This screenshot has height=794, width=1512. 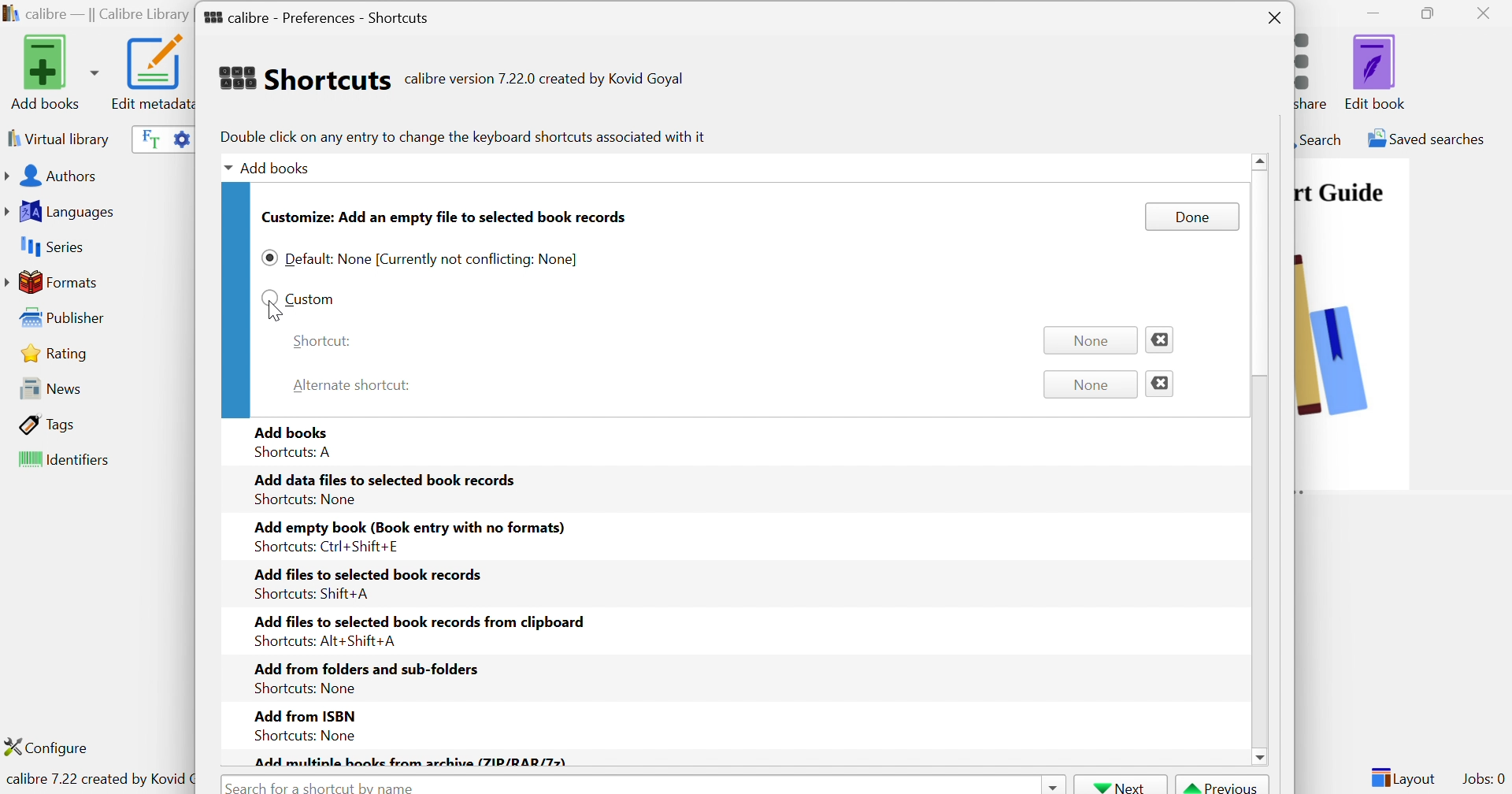 I want to click on Done, so click(x=1191, y=217).